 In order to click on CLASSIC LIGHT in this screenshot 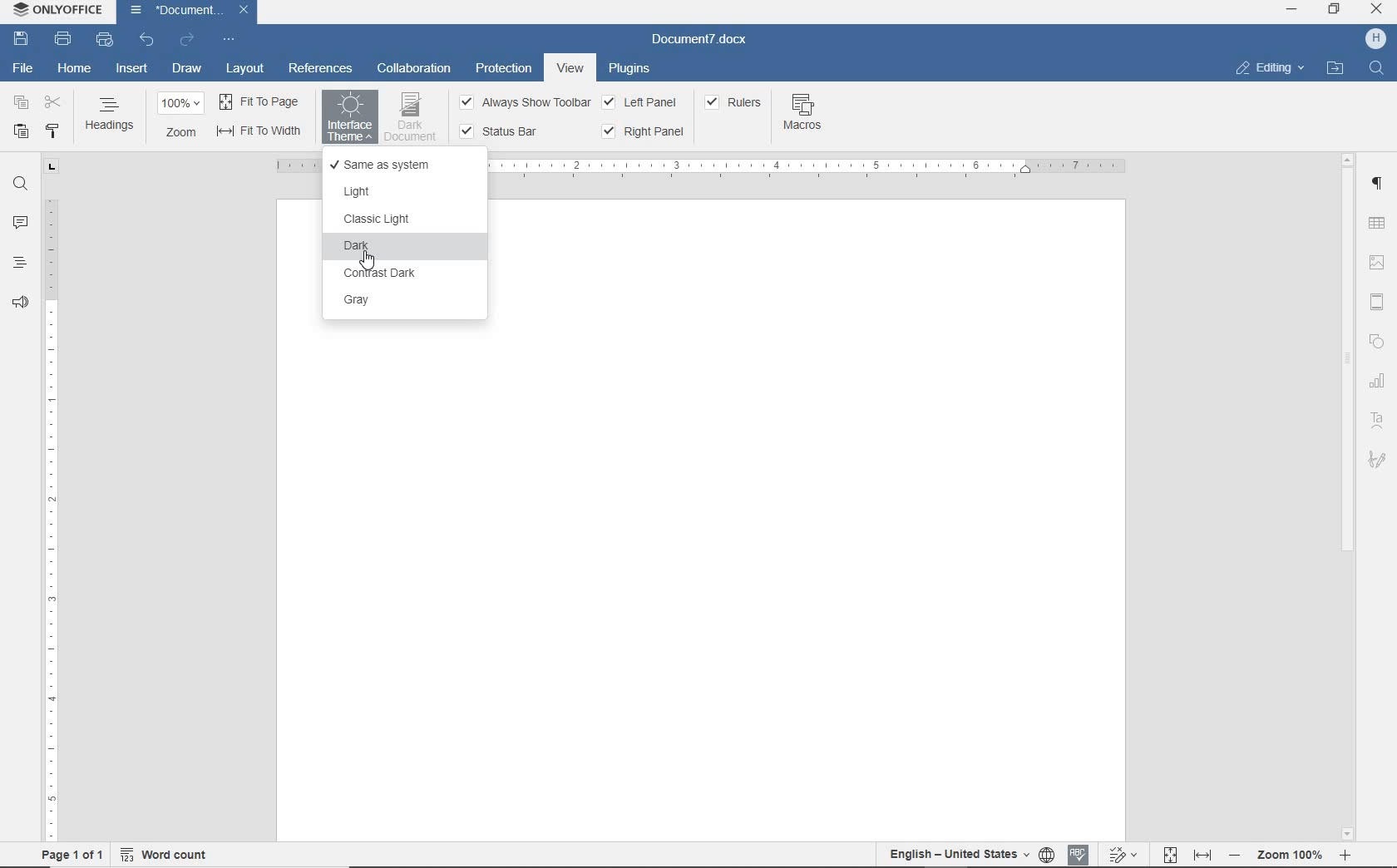, I will do `click(402, 219)`.